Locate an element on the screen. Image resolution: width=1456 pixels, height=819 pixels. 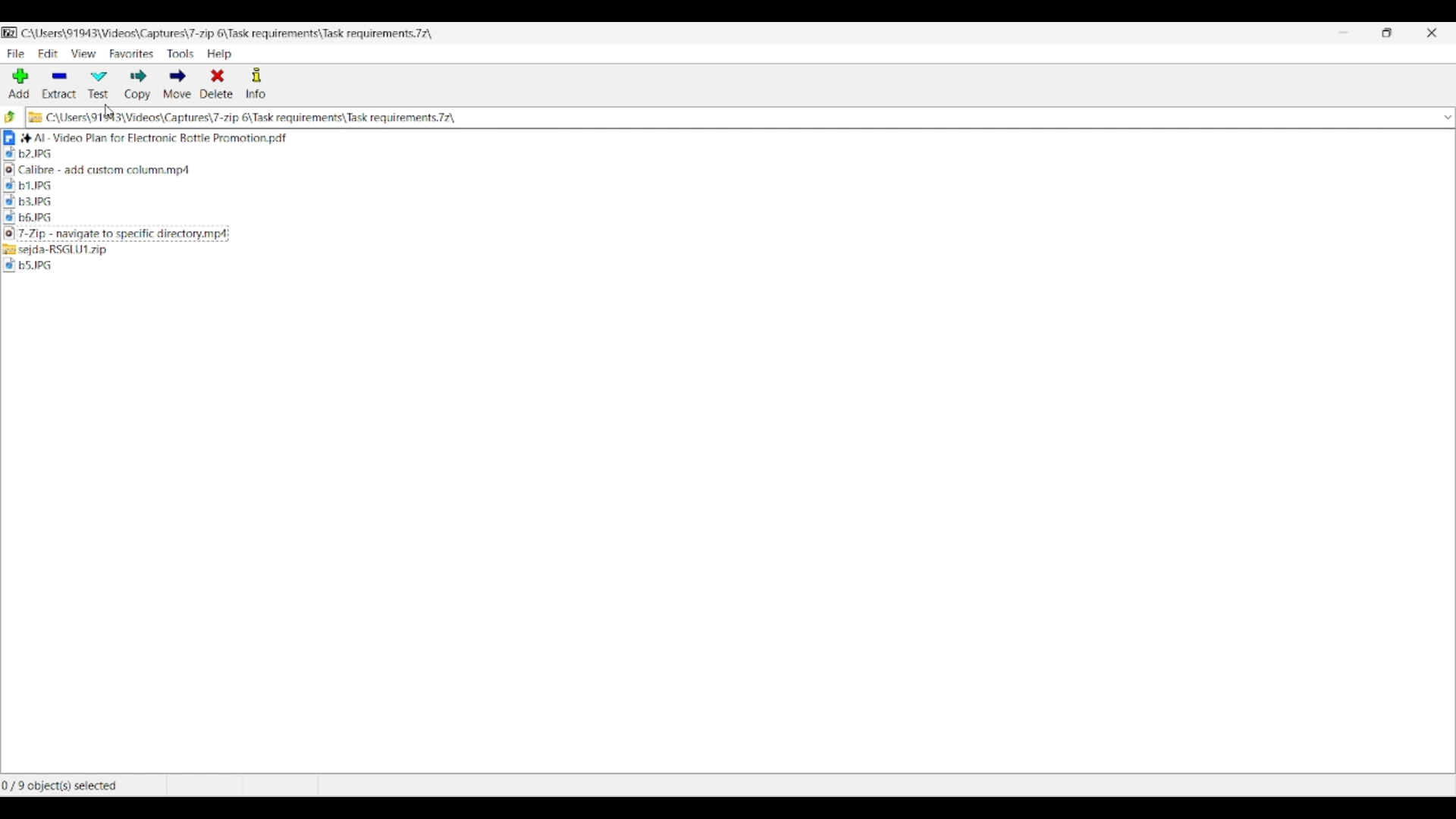
file 1 and type is located at coordinates (418, 137).